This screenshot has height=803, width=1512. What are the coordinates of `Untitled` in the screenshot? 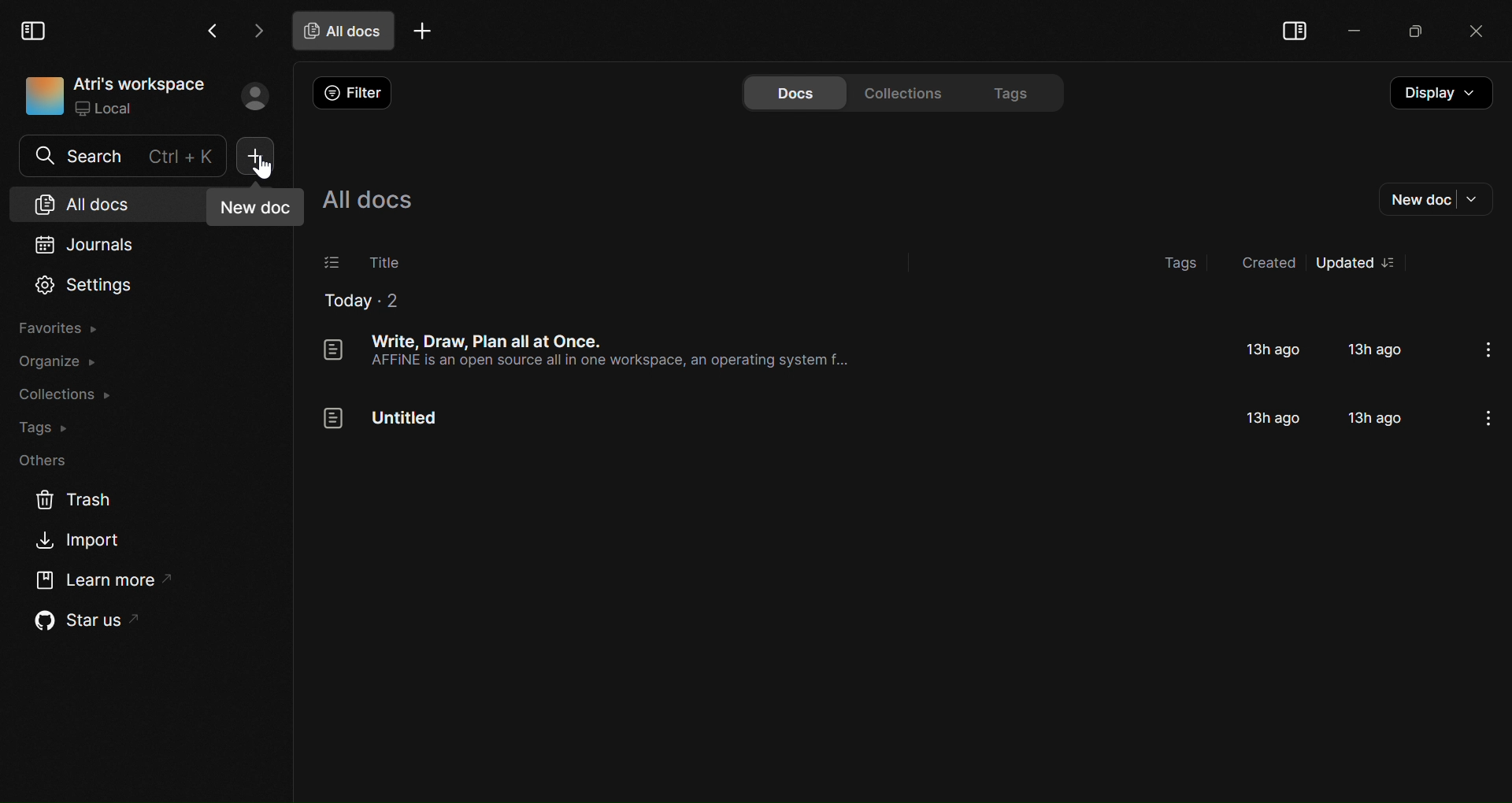 It's located at (406, 418).